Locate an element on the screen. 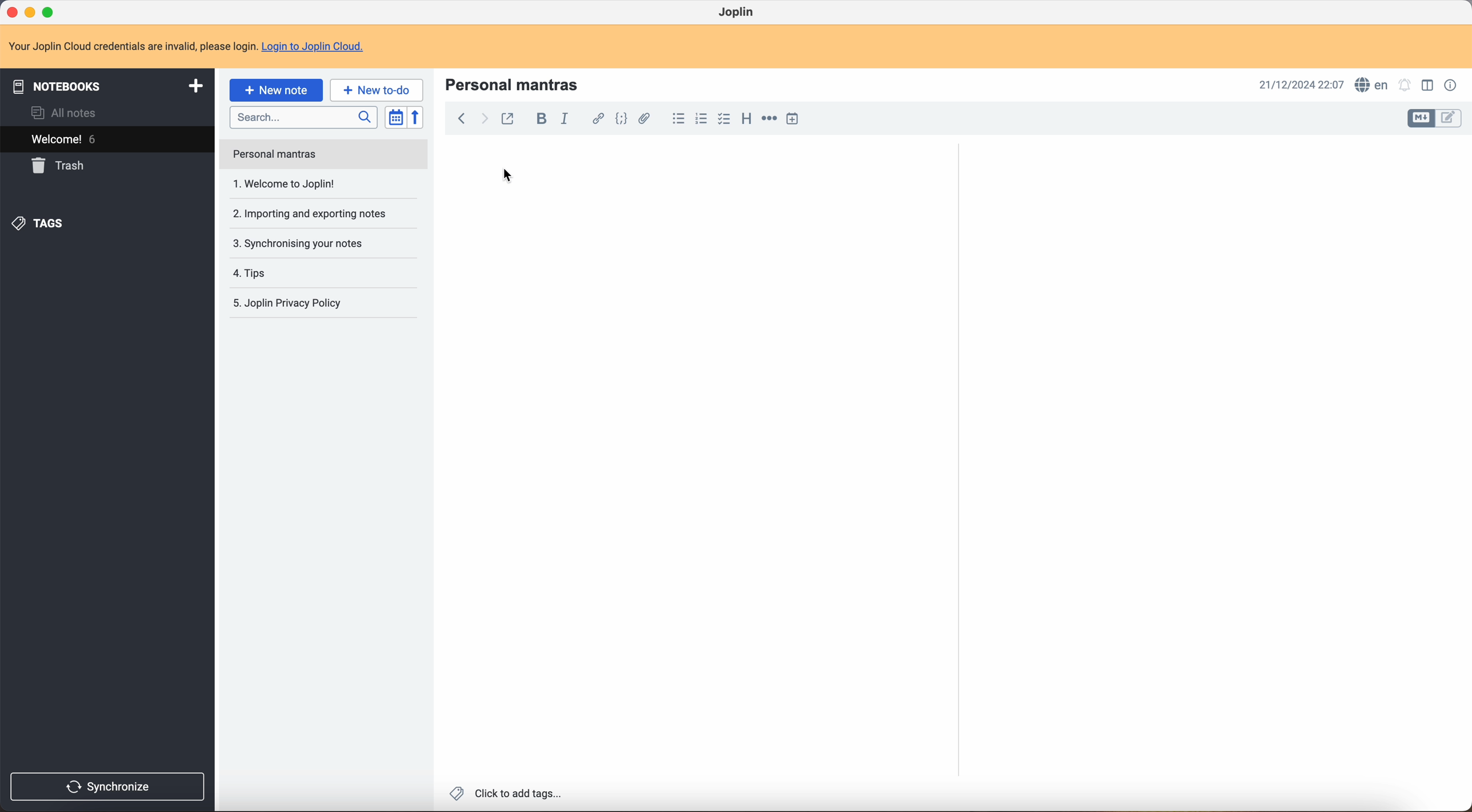 The height and width of the screenshot is (812, 1472). minimize program is located at coordinates (30, 11).